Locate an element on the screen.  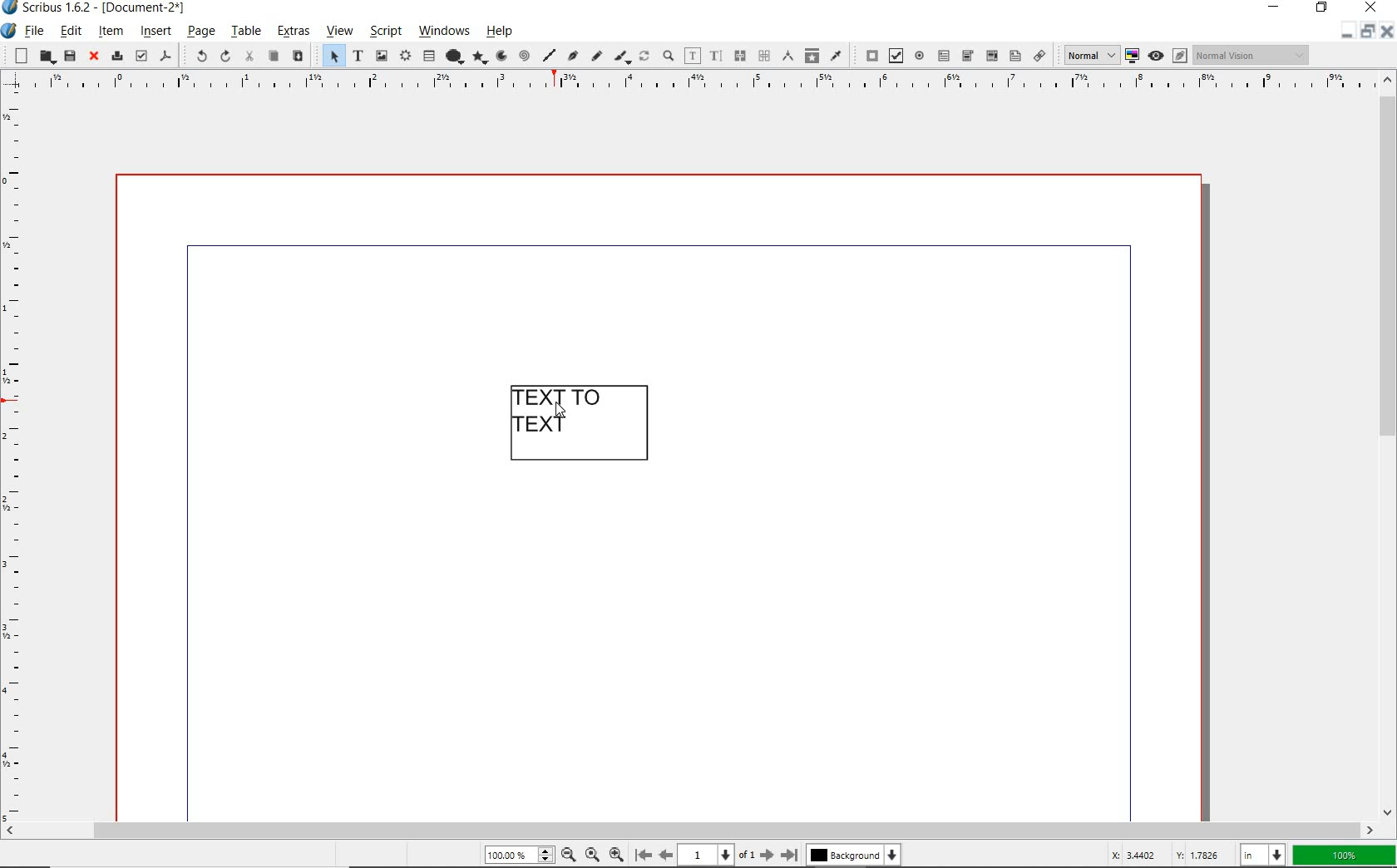
select item is located at coordinates (330, 55).